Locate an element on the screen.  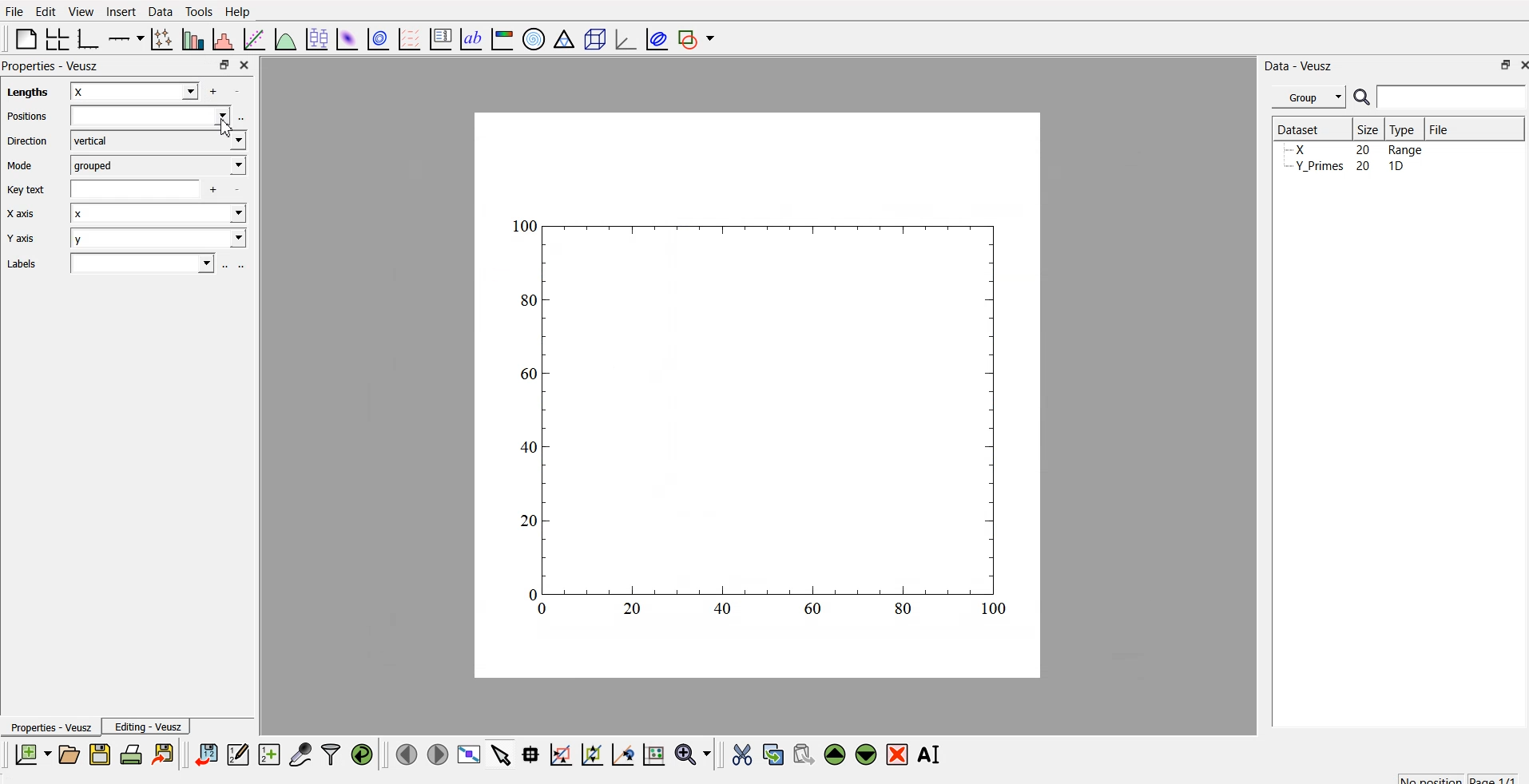
polar graph is located at coordinates (536, 40).